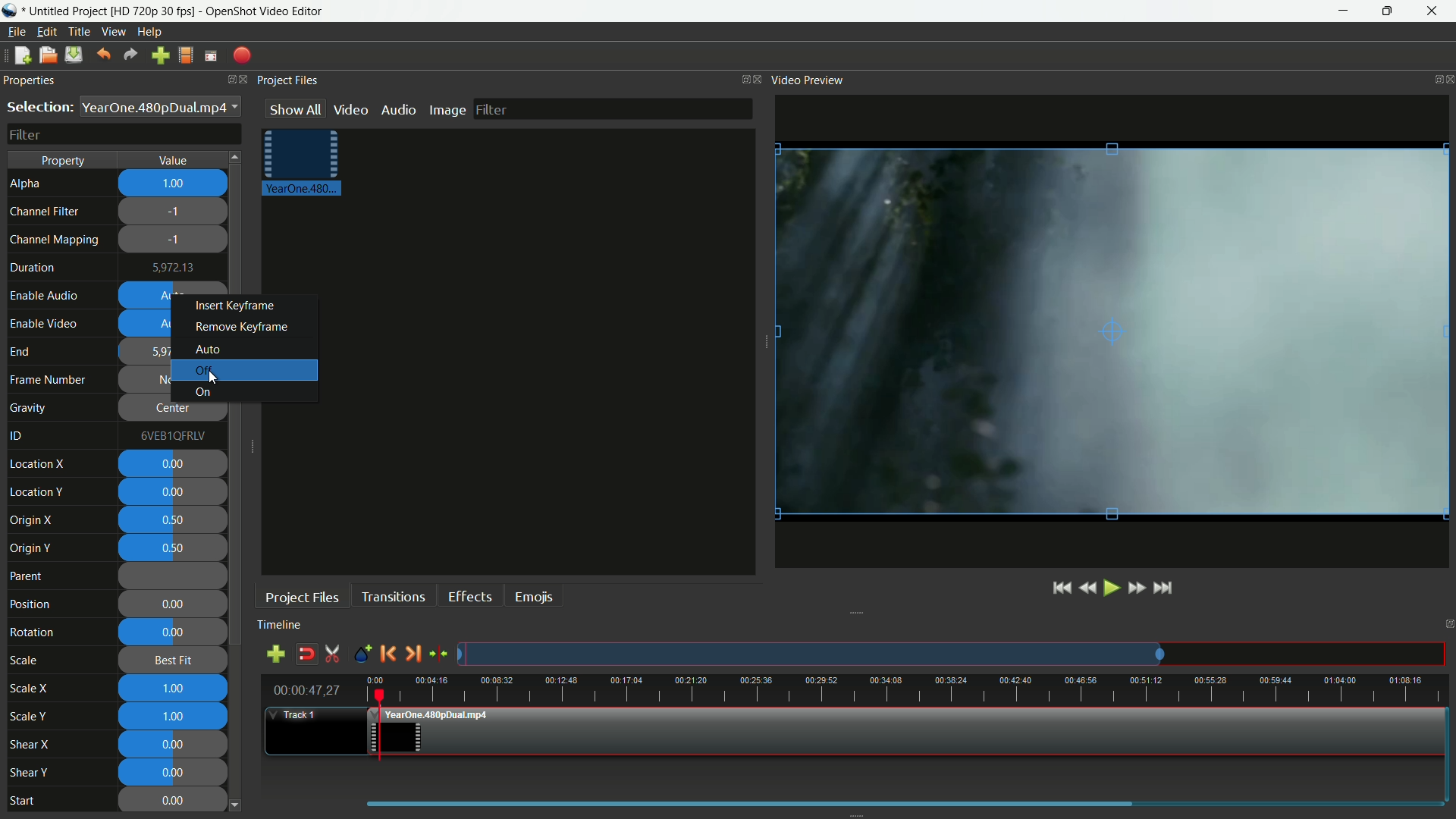  I want to click on current time, so click(306, 690).